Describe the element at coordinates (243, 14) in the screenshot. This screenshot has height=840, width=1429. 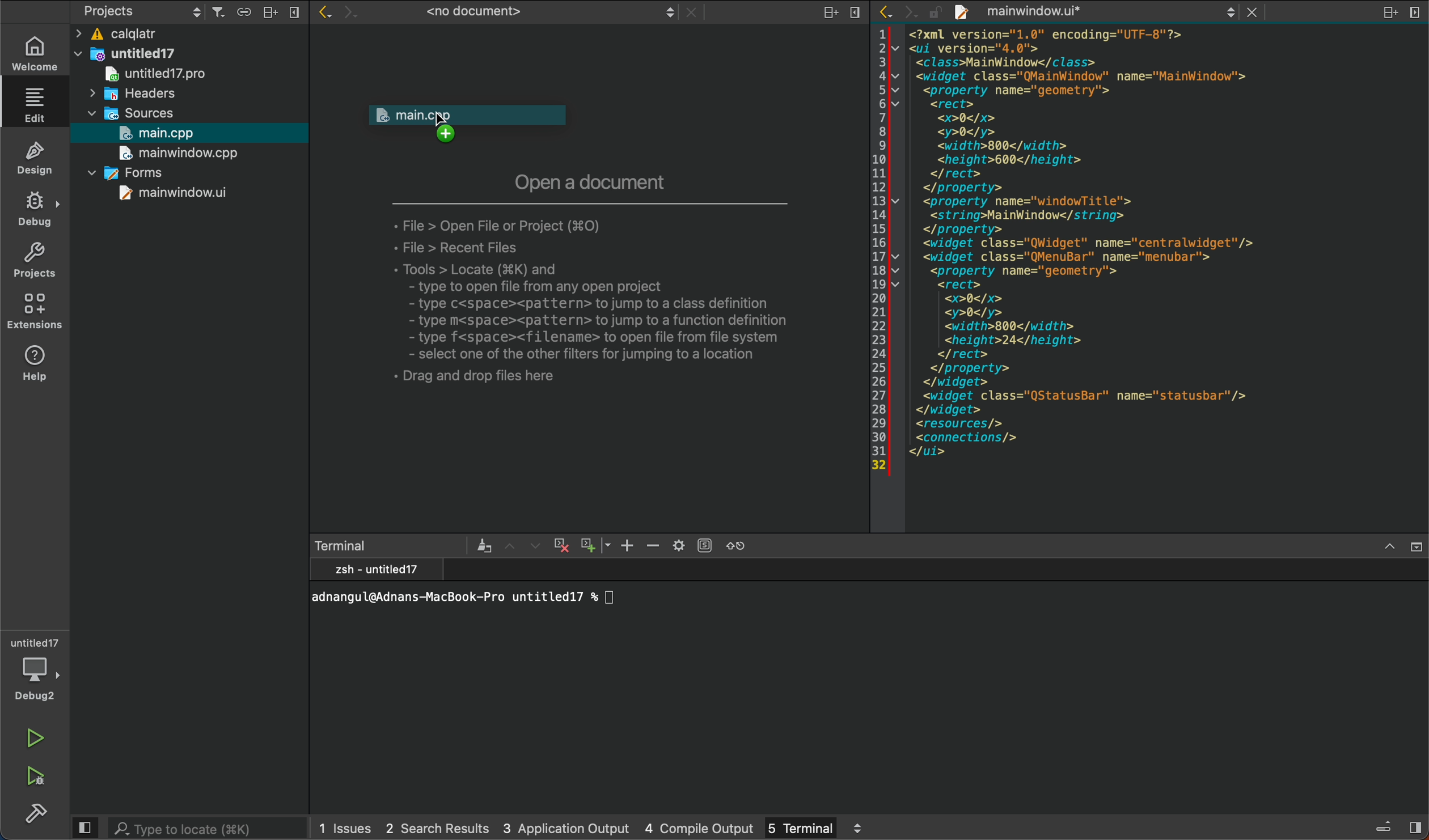
I see `syncronize with editor` at that location.